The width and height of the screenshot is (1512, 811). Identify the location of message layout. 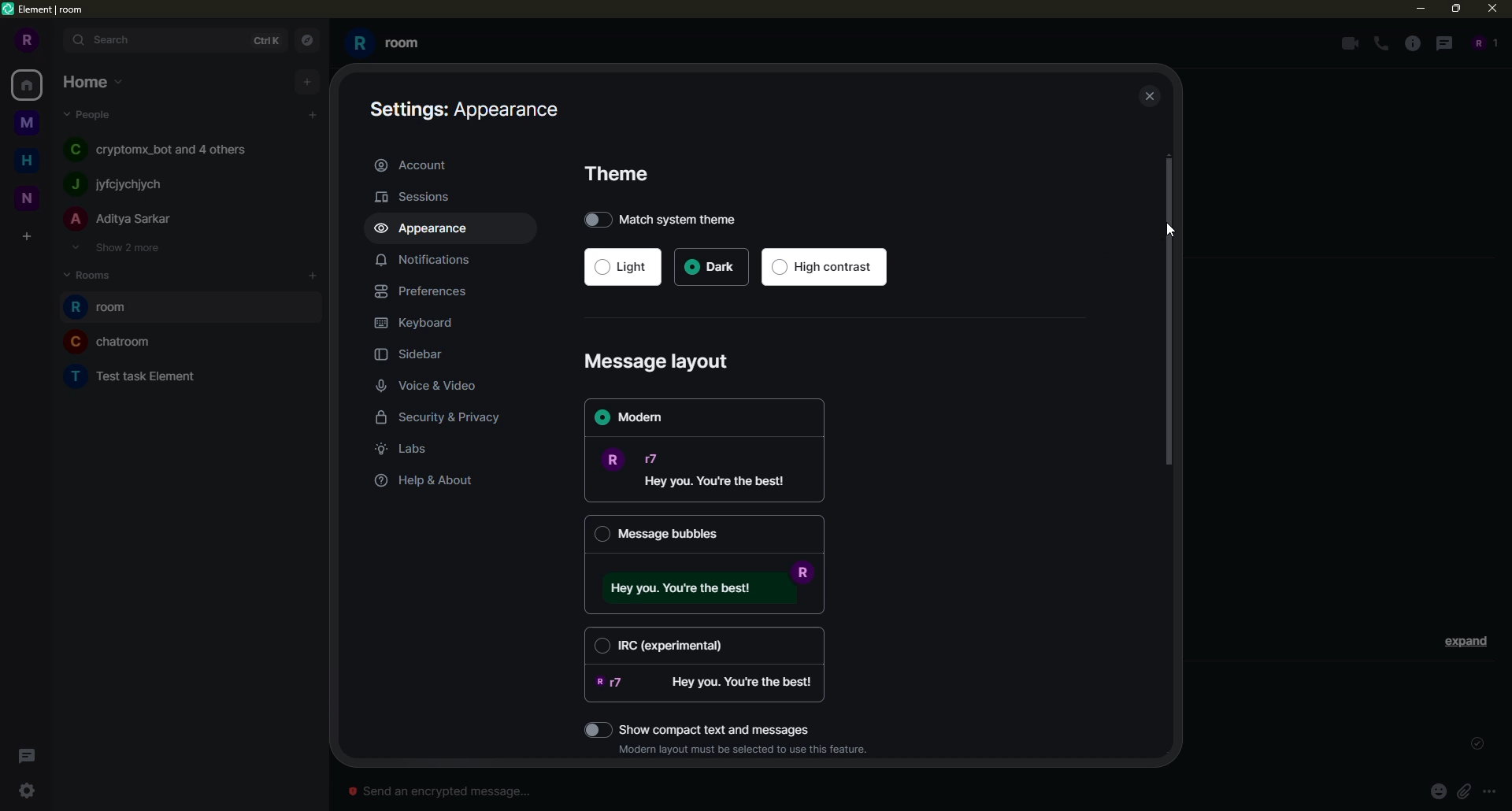
(702, 586).